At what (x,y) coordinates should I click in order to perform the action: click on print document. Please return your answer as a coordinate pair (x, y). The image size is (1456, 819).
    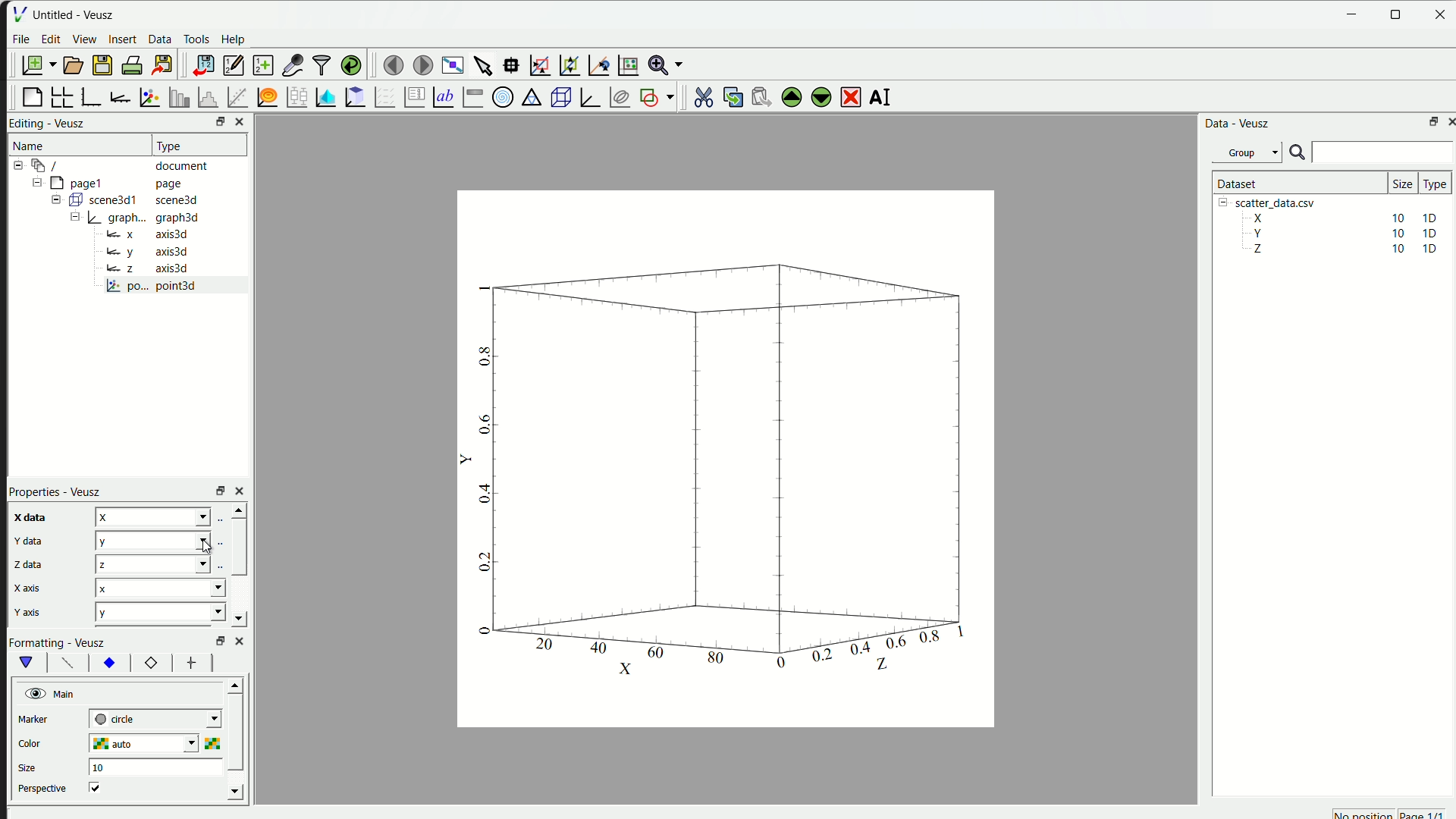
    Looking at the image, I should click on (132, 65).